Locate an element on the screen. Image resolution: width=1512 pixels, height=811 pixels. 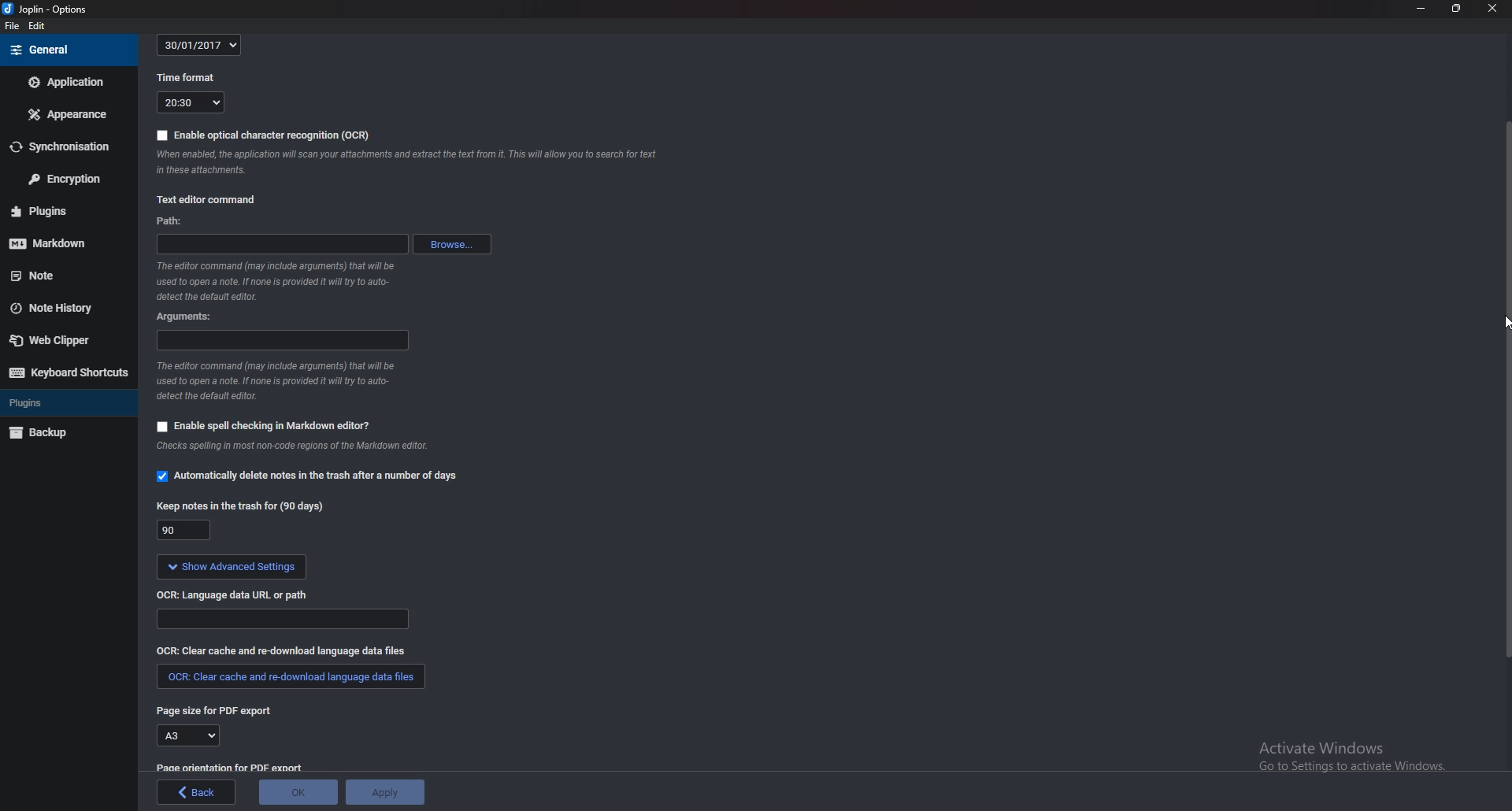
Arguments is located at coordinates (186, 317).